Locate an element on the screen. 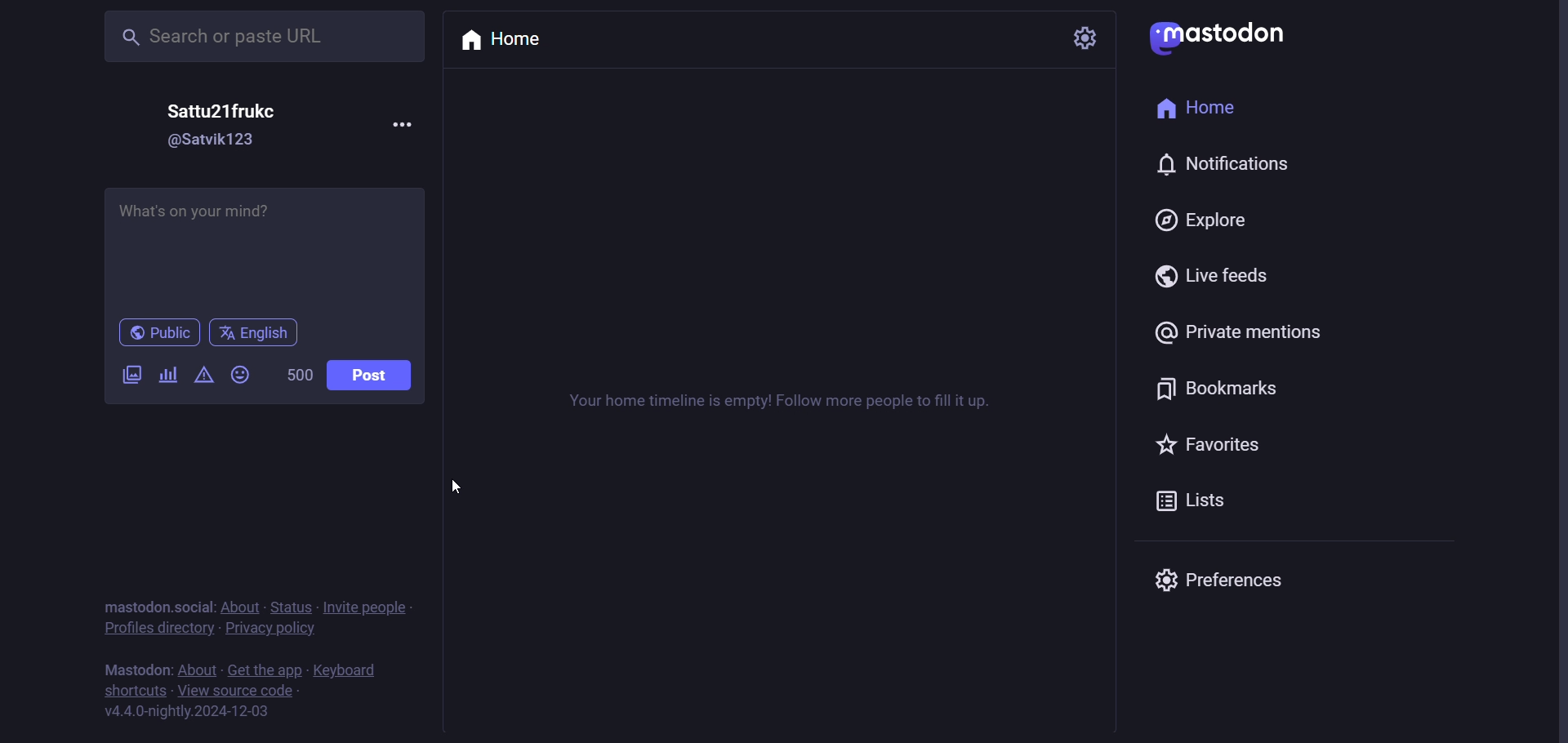 The height and width of the screenshot is (743, 1568). post is located at coordinates (368, 376).